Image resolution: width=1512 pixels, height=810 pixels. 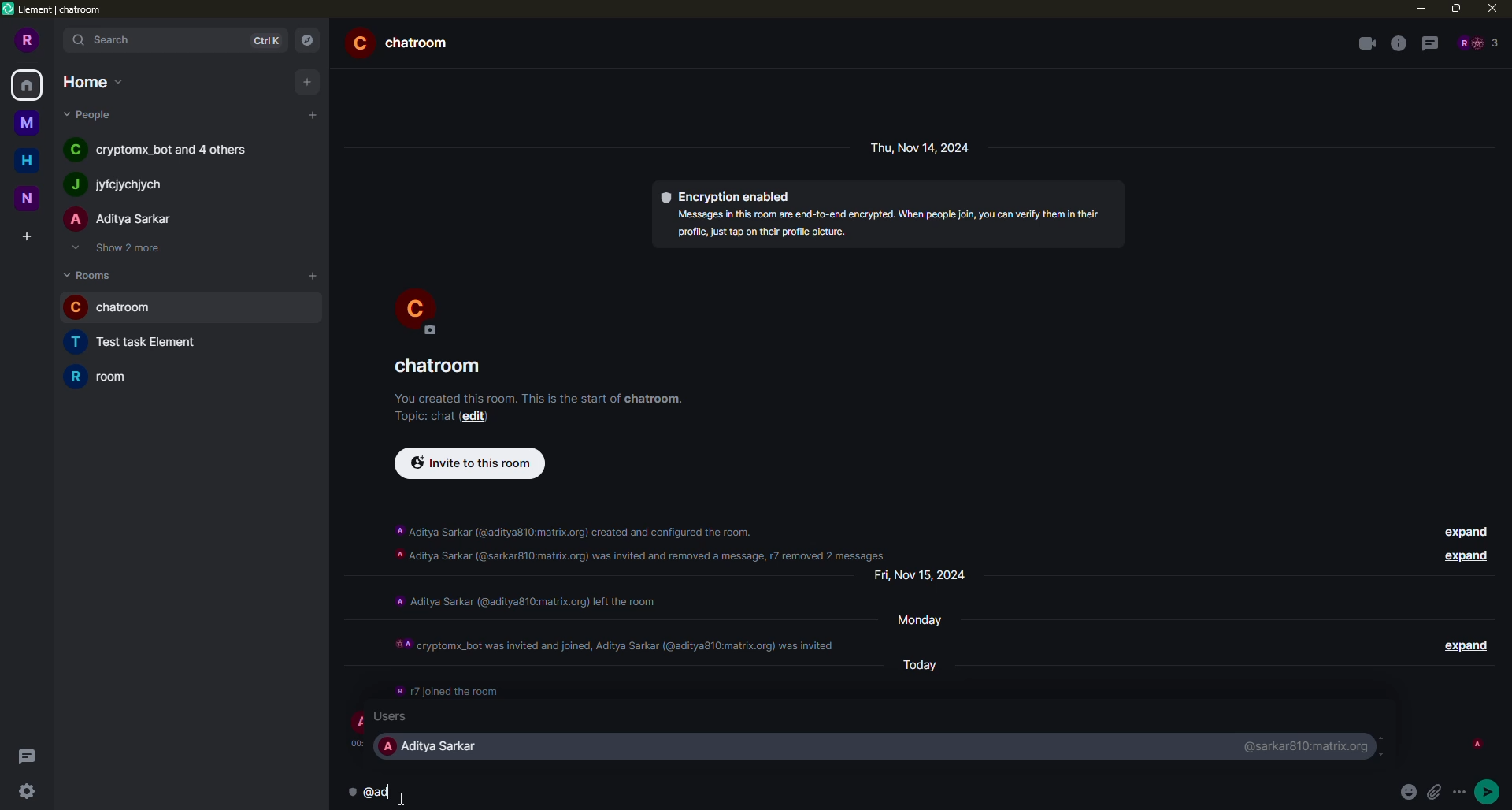 I want to click on room, so click(x=143, y=343).